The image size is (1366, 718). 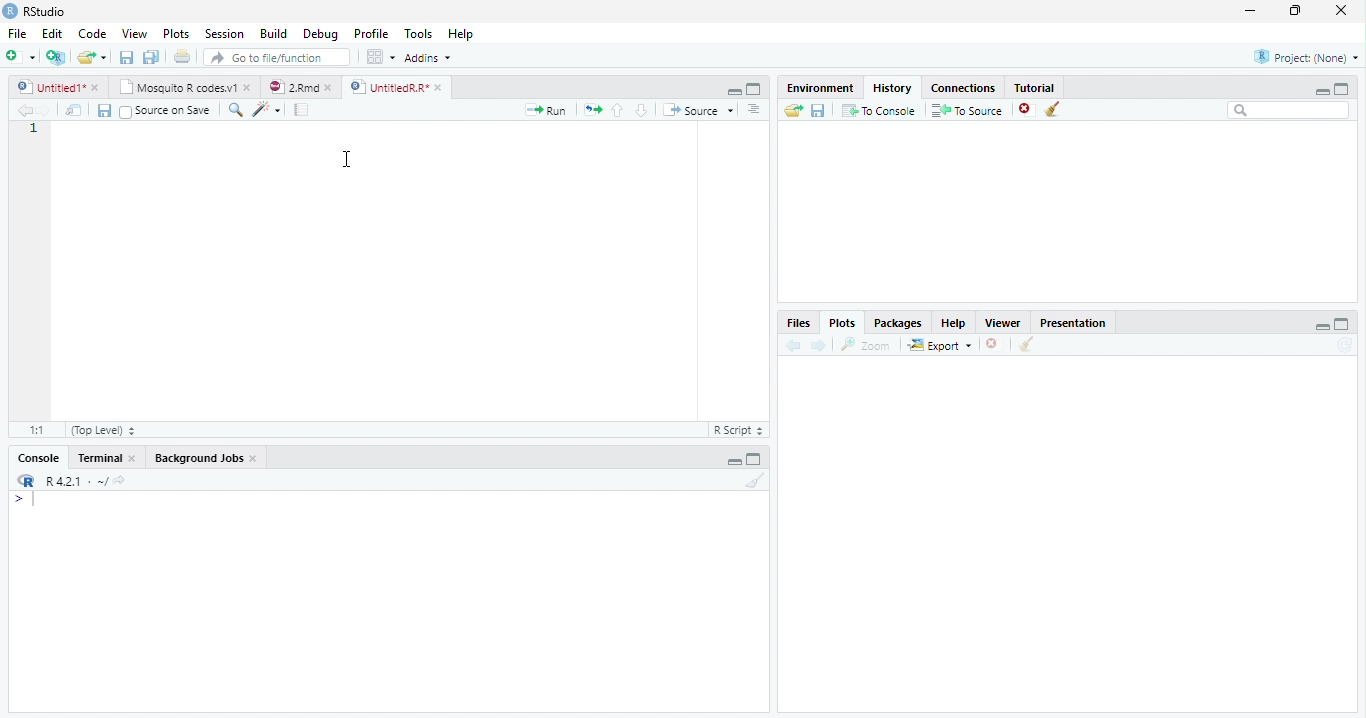 What do you see at coordinates (28, 502) in the screenshot?
I see `Typing indicator` at bounding box center [28, 502].